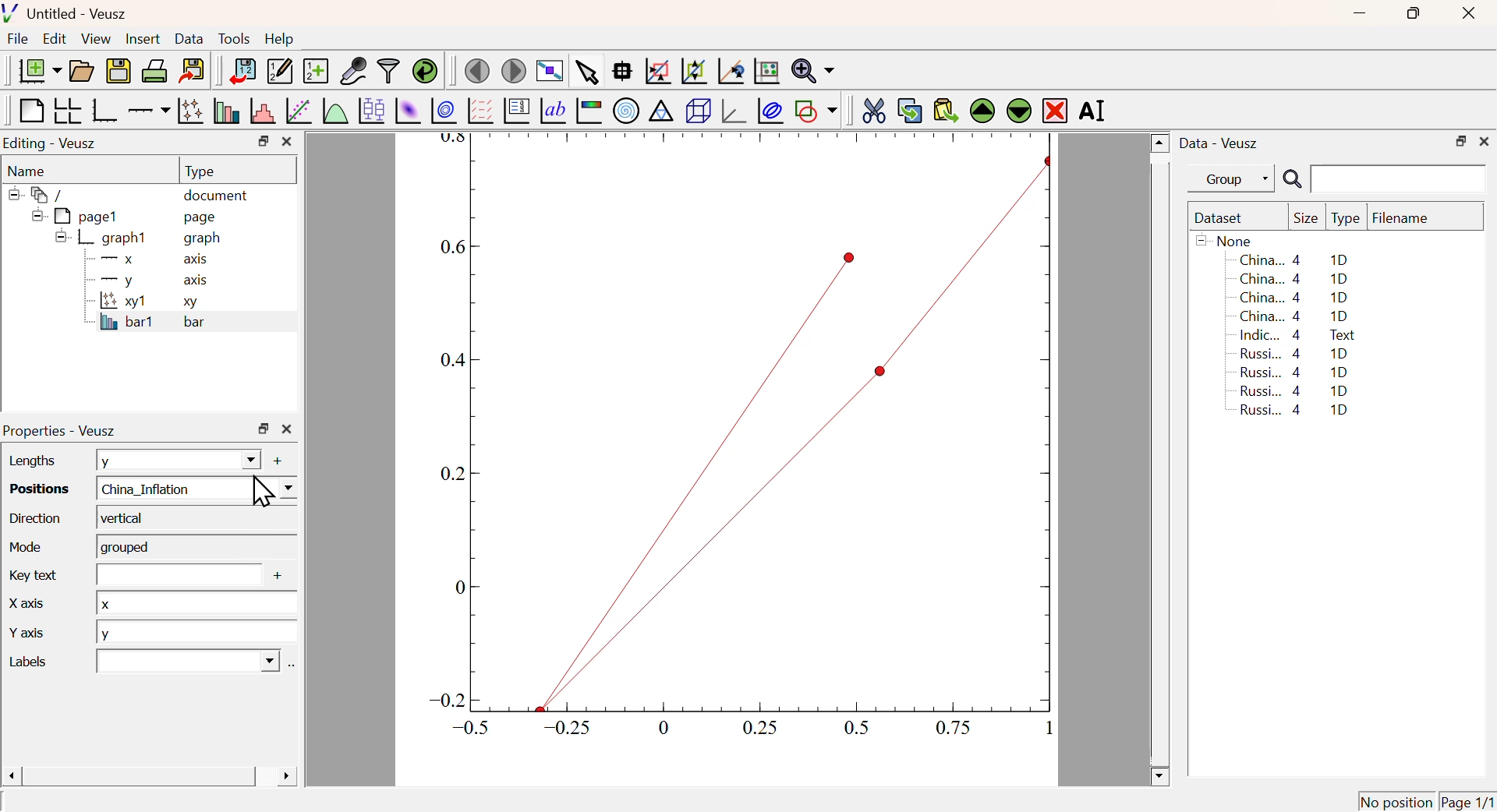  What do you see at coordinates (190, 602) in the screenshot?
I see `x` at bounding box center [190, 602].